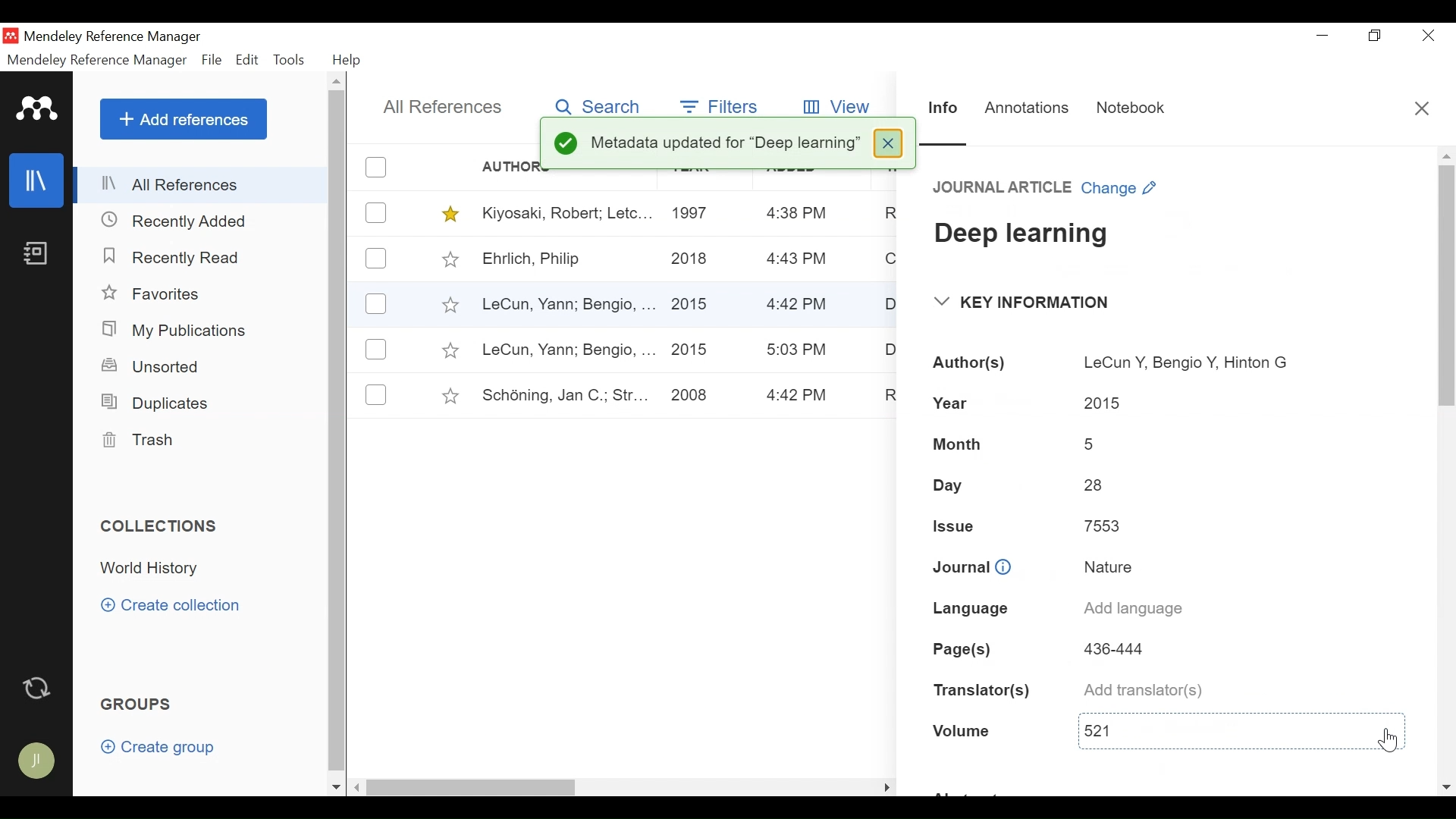 This screenshot has height=819, width=1456. I want to click on Month, so click(957, 444).